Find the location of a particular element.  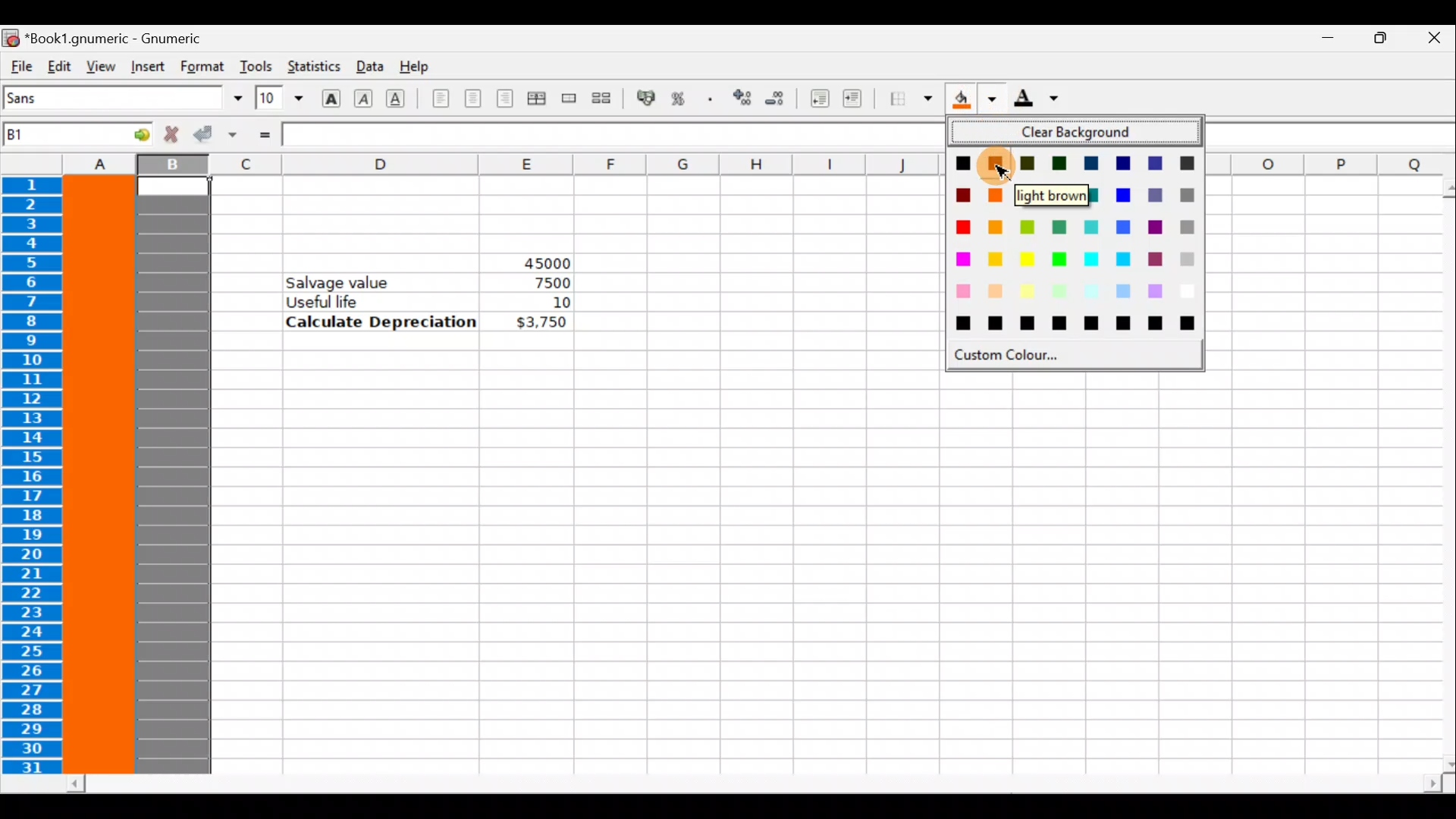

Minimize is located at coordinates (1320, 42).